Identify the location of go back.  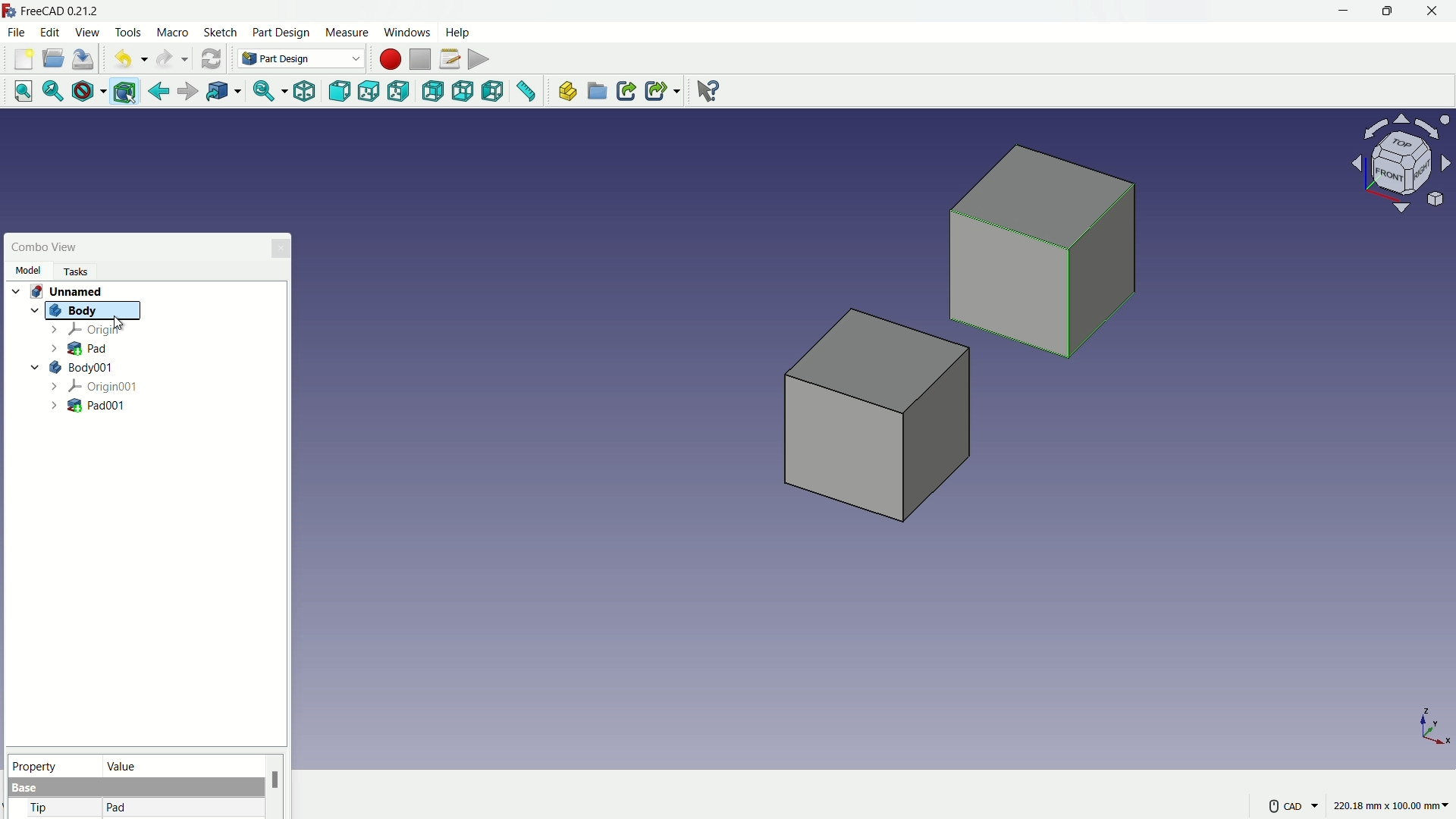
(159, 92).